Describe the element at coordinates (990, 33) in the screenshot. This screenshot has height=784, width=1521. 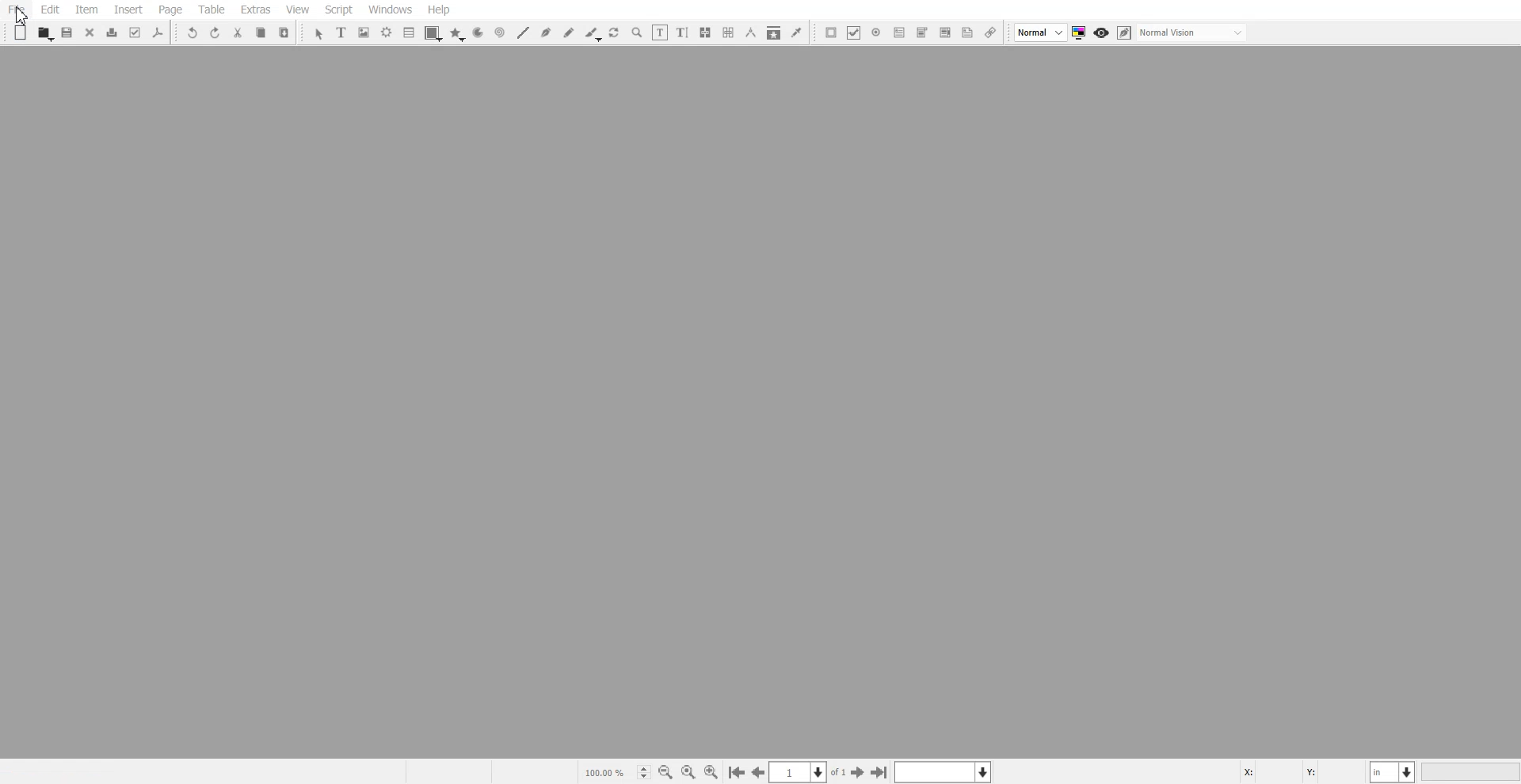
I see `Link Annotation` at that location.